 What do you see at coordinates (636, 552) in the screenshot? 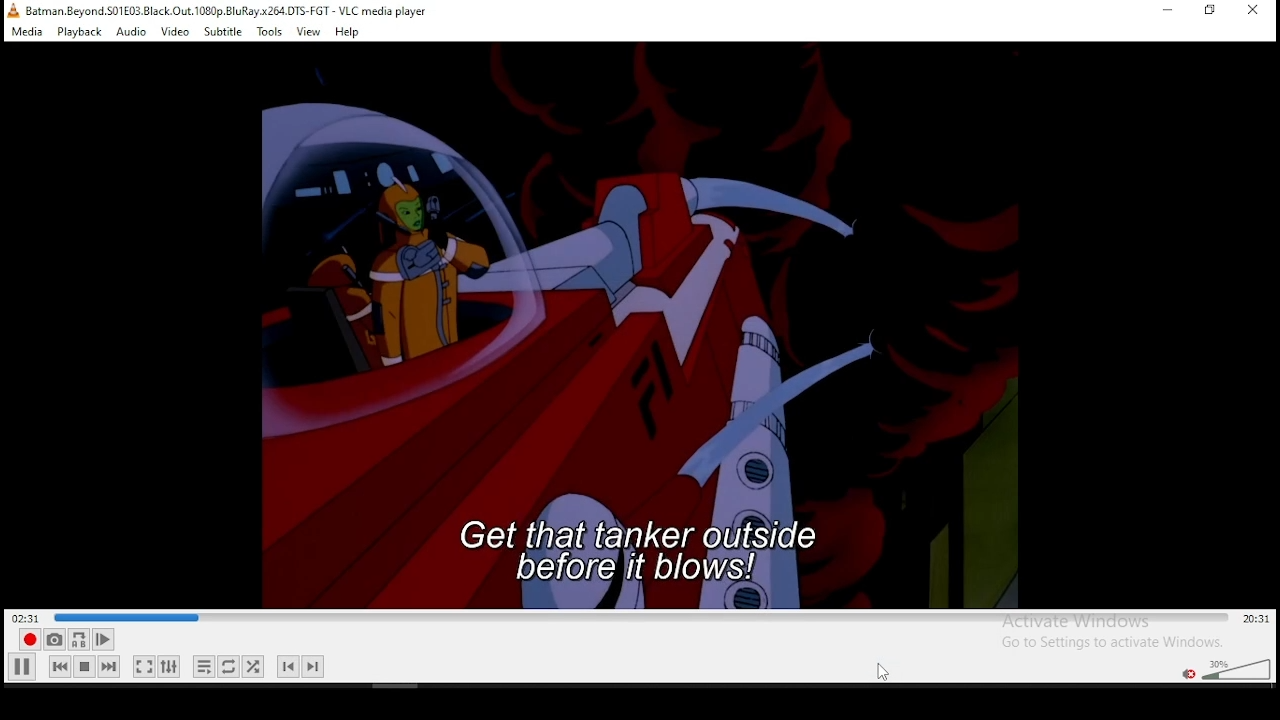
I see `subtitles size increased` at bounding box center [636, 552].